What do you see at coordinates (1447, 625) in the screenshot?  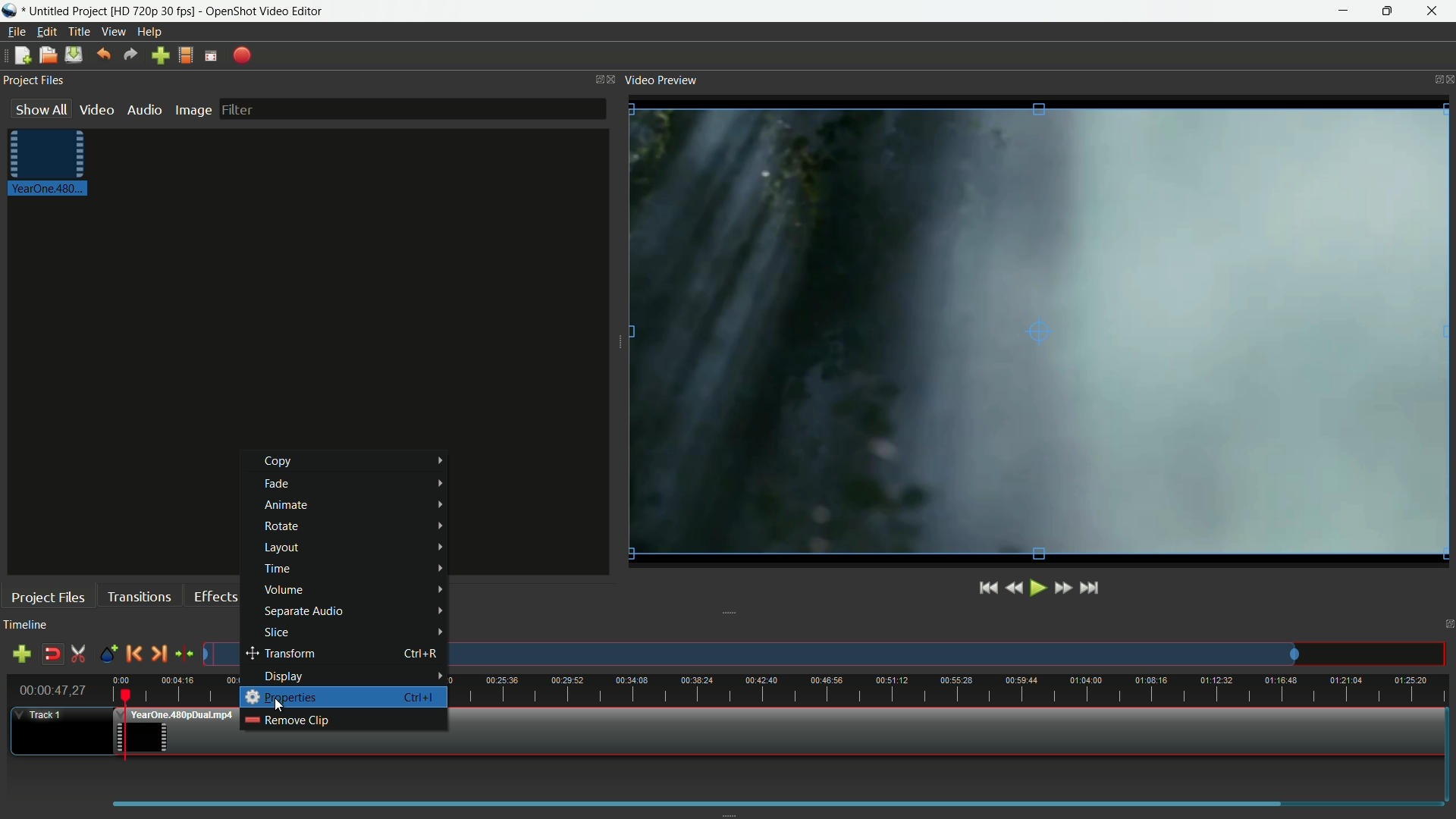 I see `close timeline` at bounding box center [1447, 625].